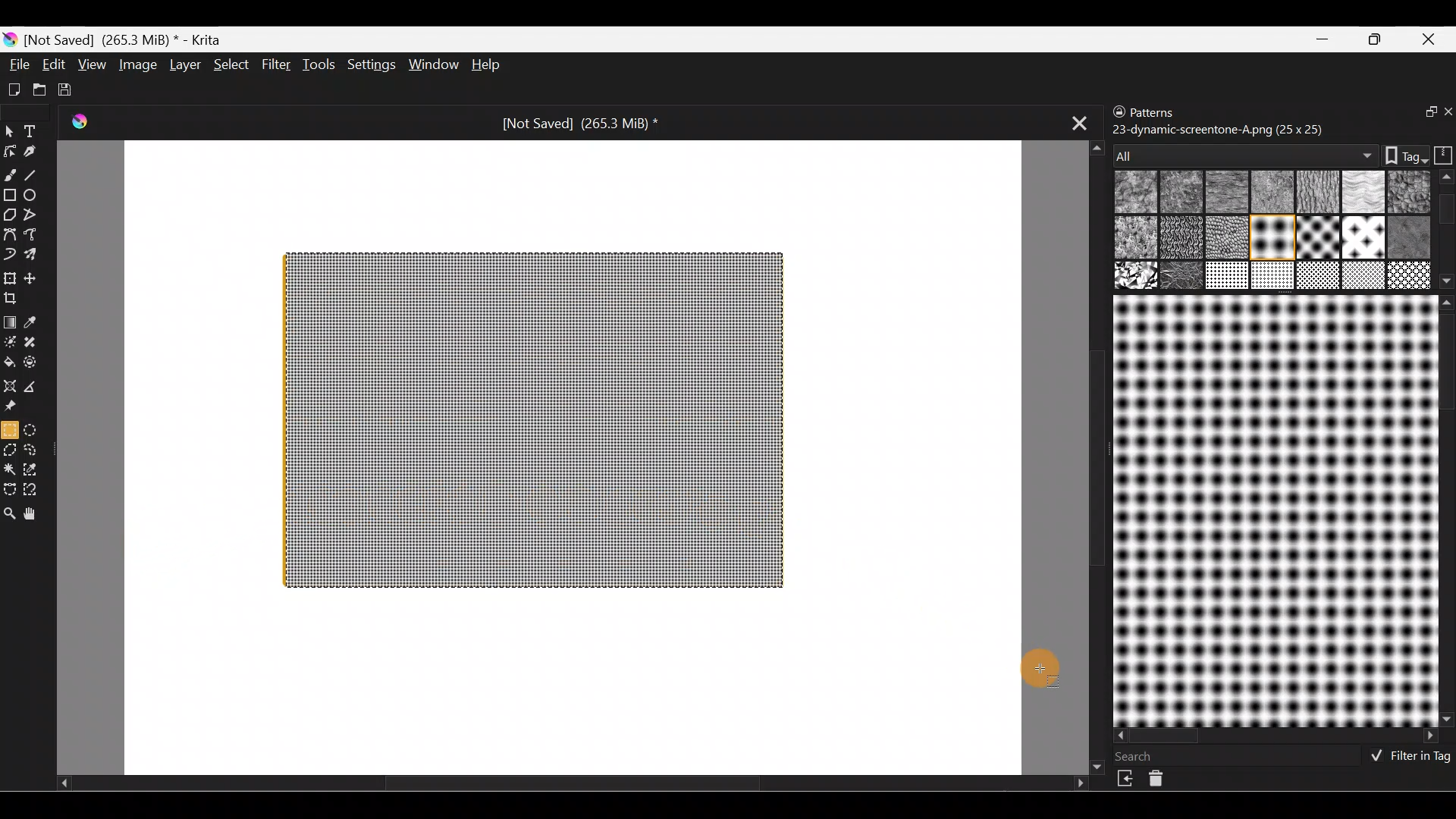 Image resolution: width=1456 pixels, height=819 pixels. I want to click on Create new document, so click(14, 90).